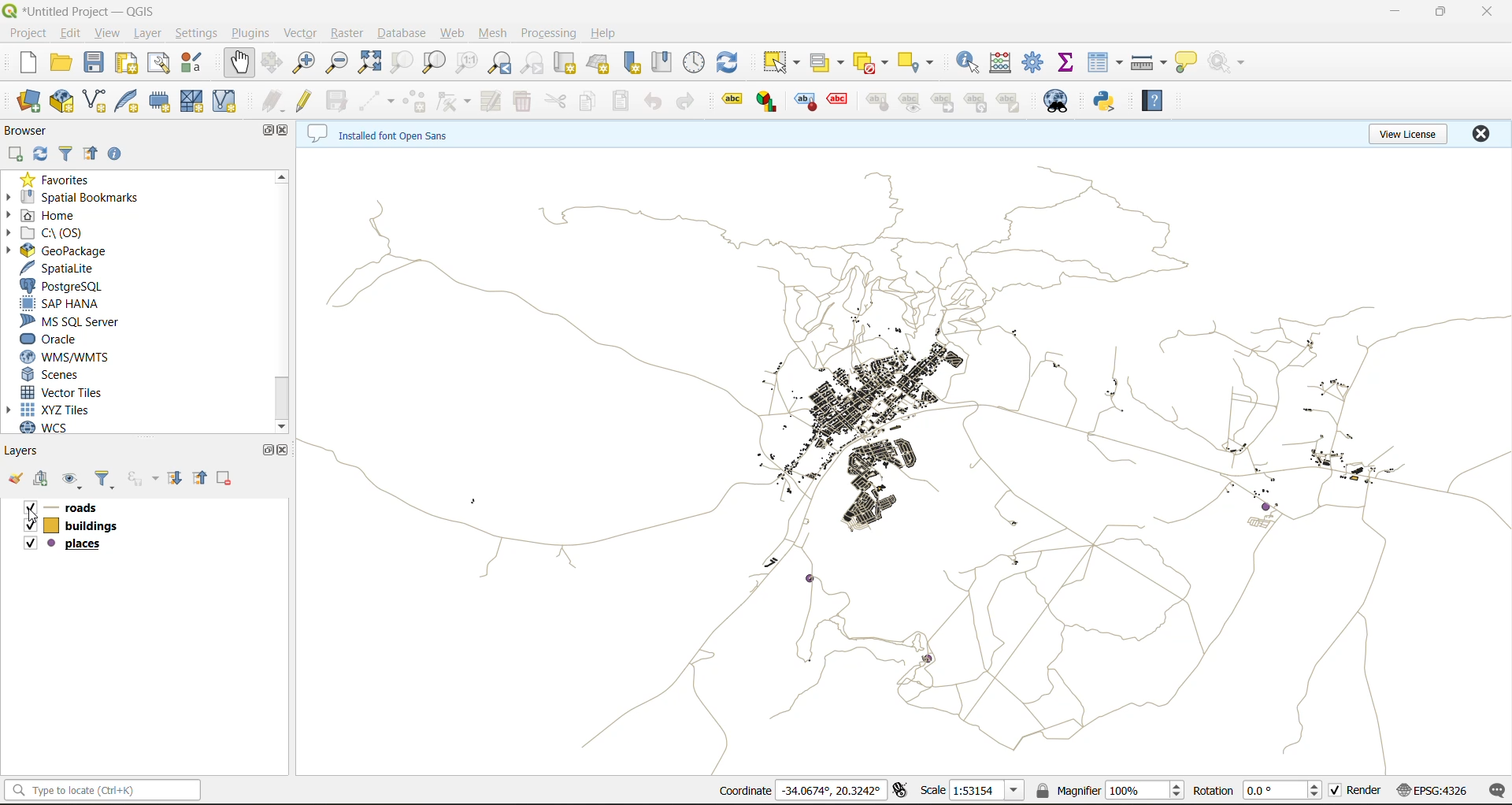 This screenshot has height=805, width=1512. I want to click on remove, so click(225, 479).